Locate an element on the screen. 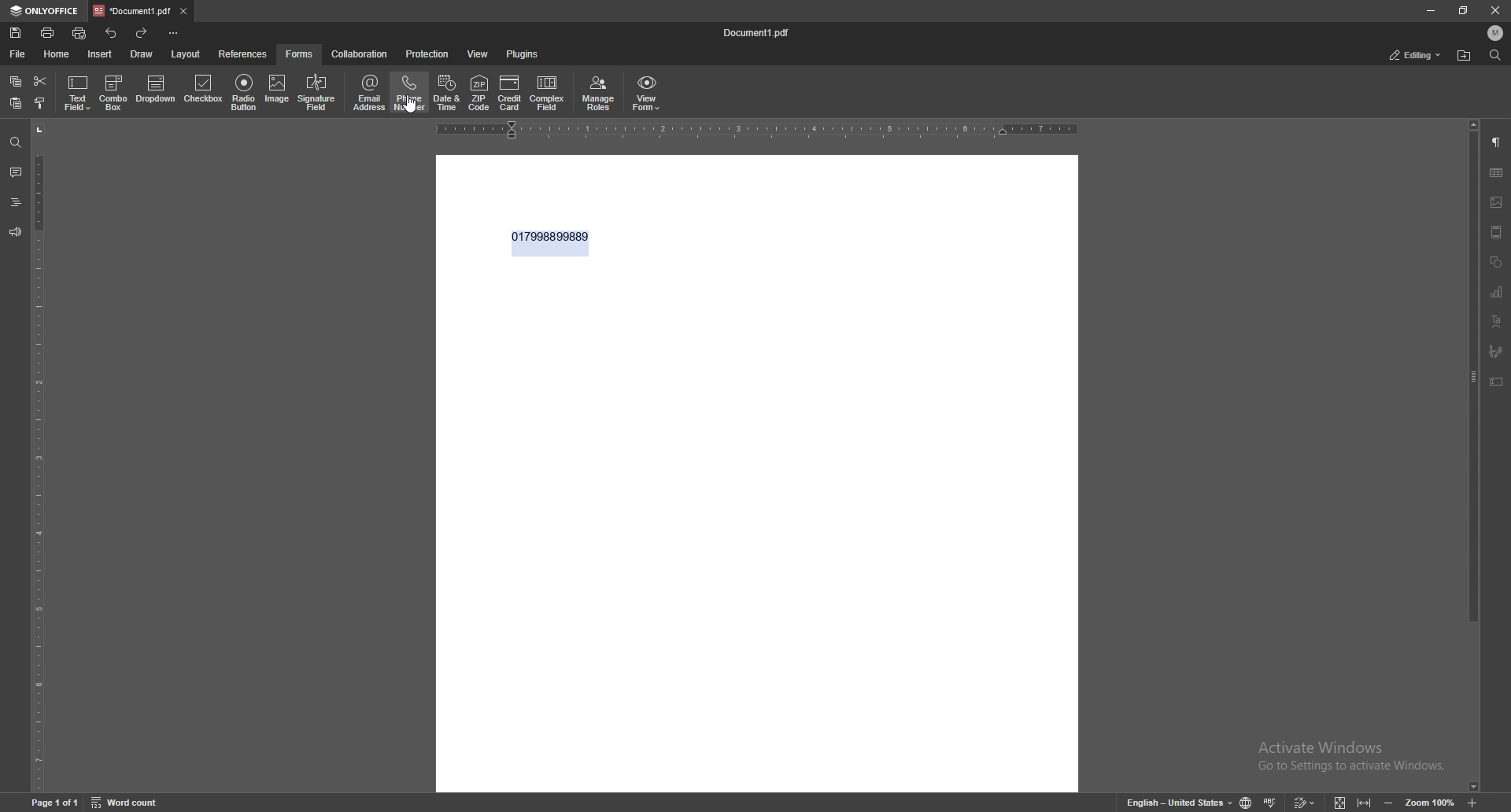 This screenshot has height=812, width=1511. English- United States is located at coordinates (1180, 802).